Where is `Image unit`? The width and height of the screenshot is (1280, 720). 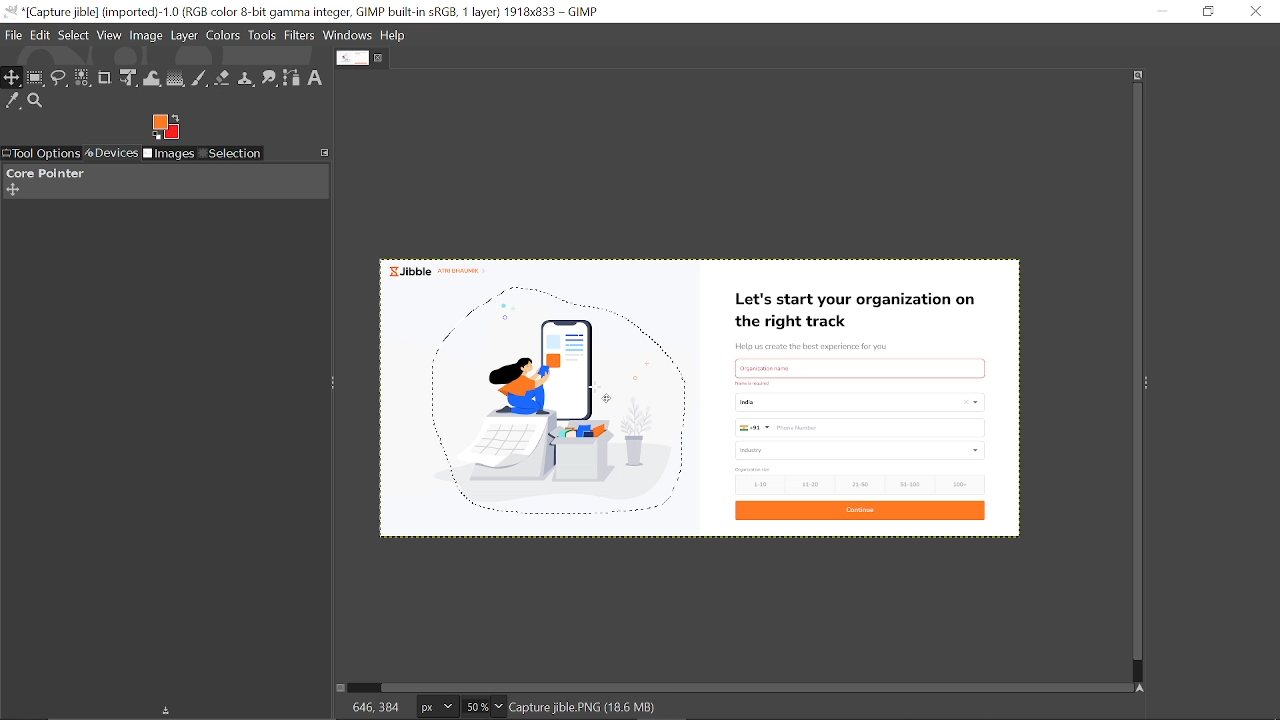 Image unit is located at coordinates (438, 708).